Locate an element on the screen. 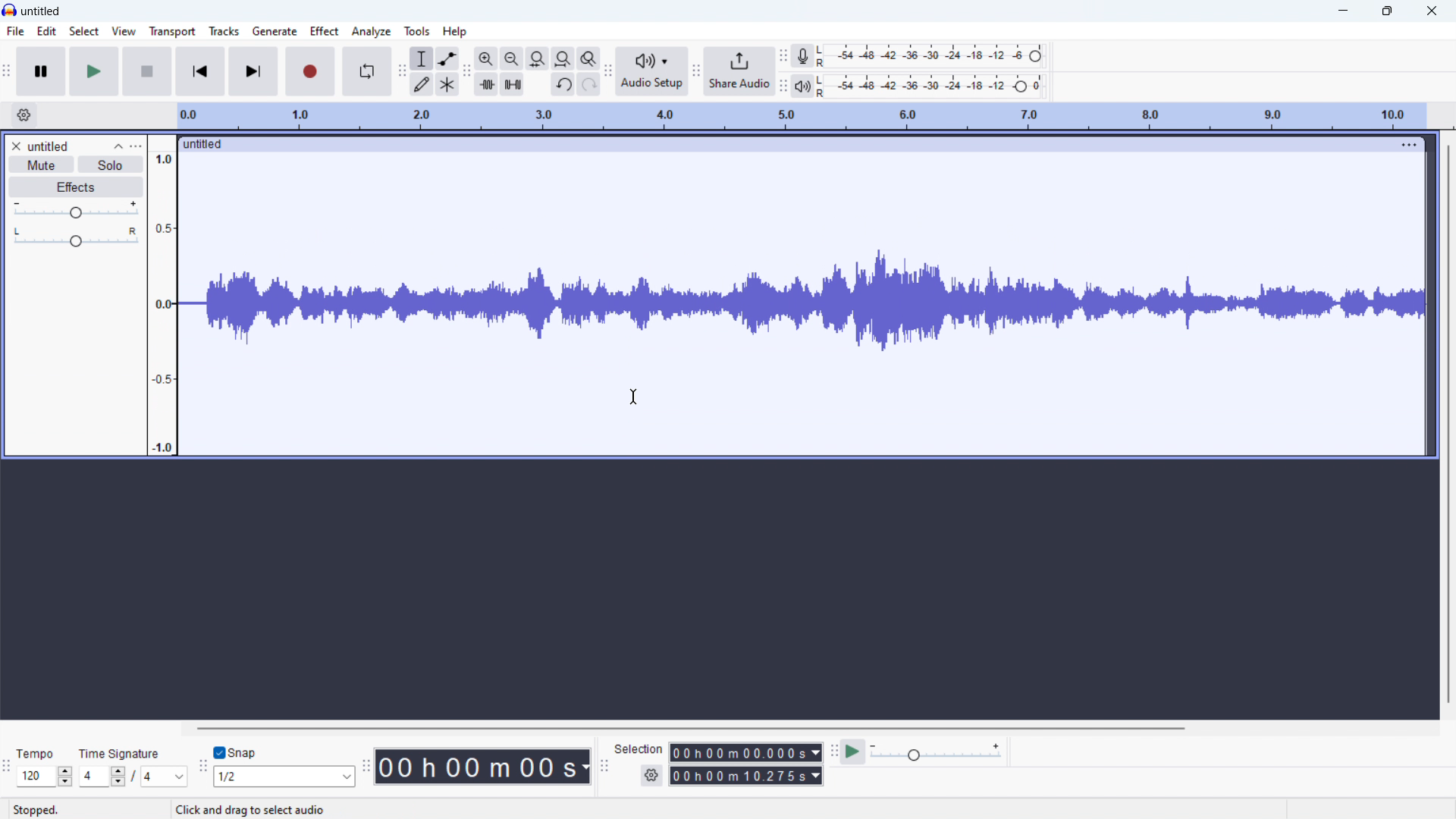 The height and width of the screenshot is (819, 1456). share audio toolbar is located at coordinates (608, 74).